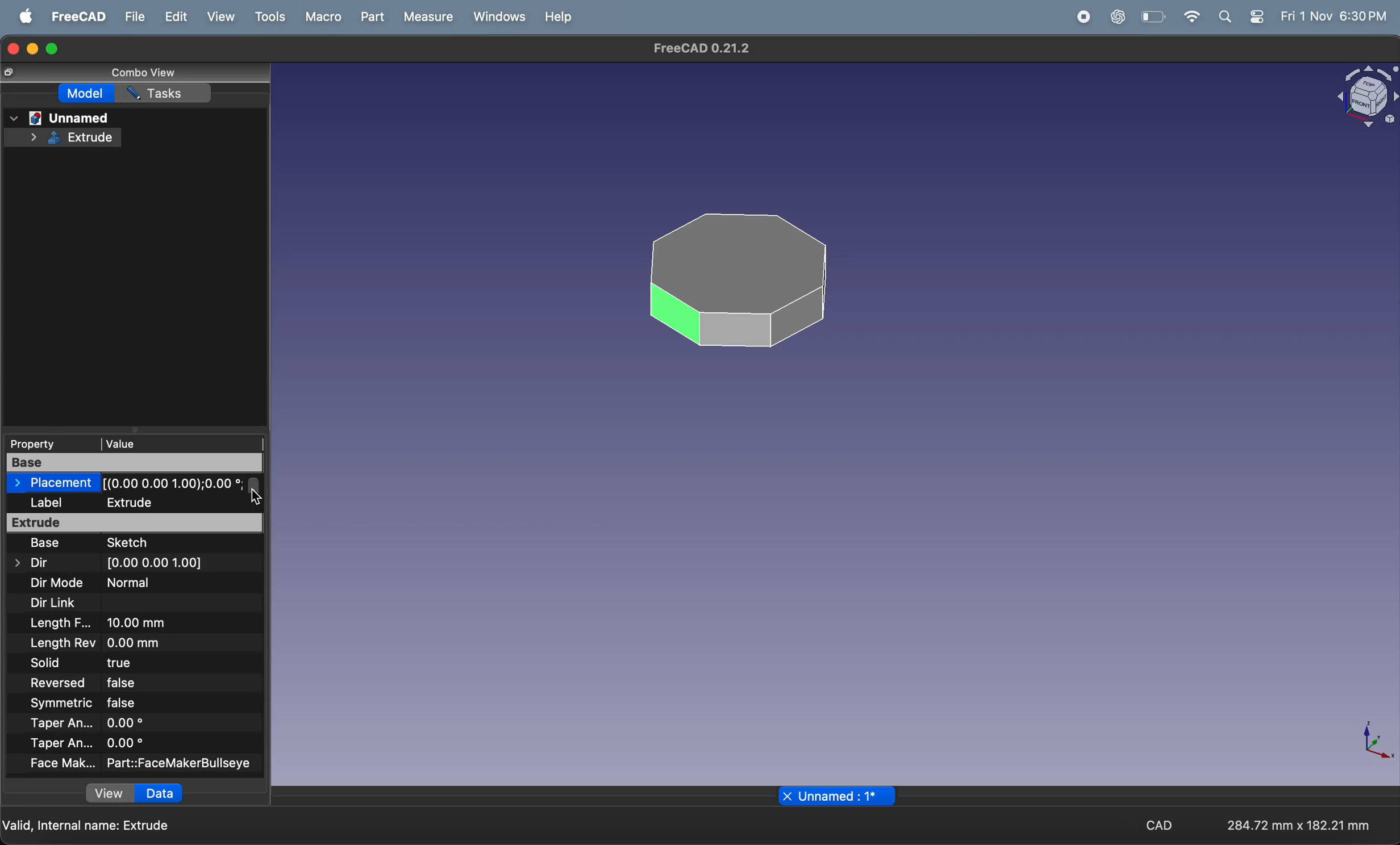 The image size is (1400, 845). What do you see at coordinates (94, 722) in the screenshot?
I see `Taper An... 0.00` at bounding box center [94, 722].